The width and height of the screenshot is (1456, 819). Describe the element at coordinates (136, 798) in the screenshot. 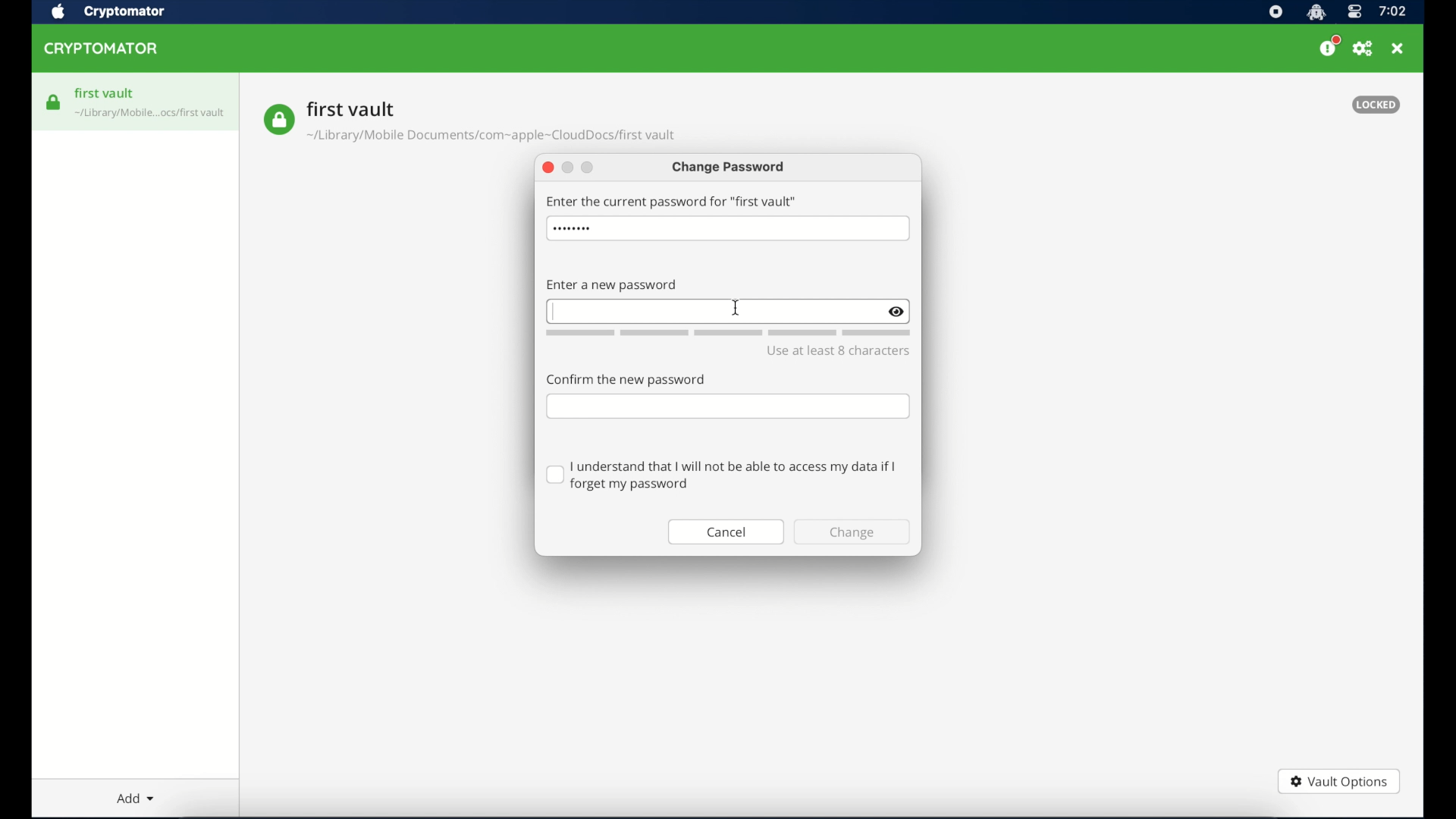

I see `add dropdown` at that location.